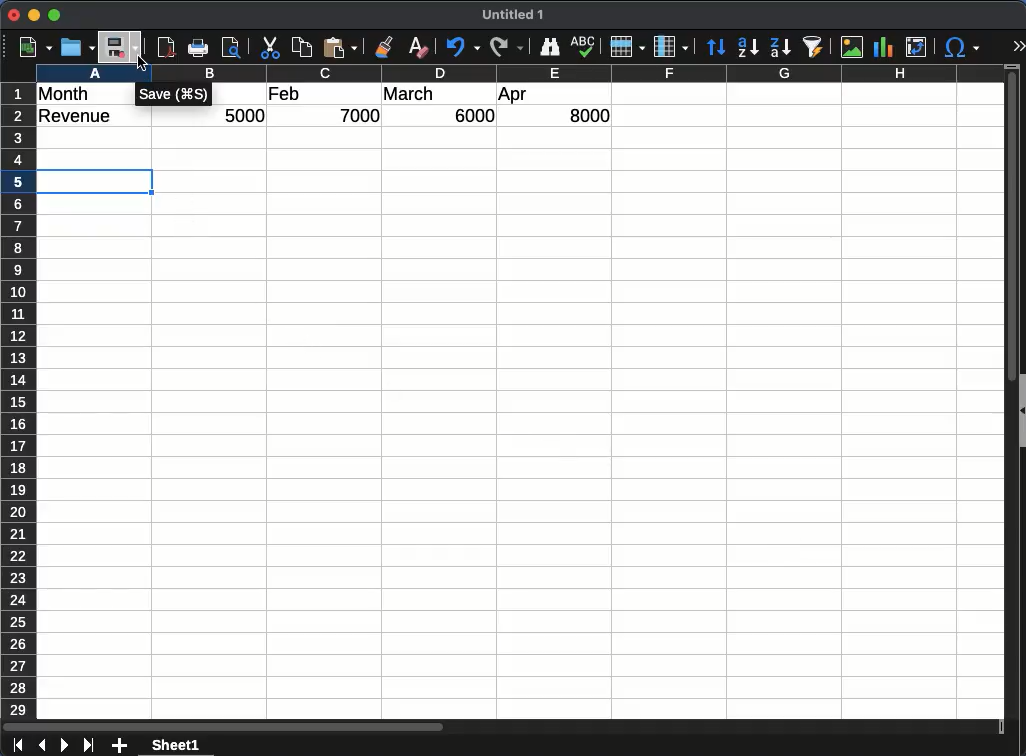 Image resolution: width=1026 pixels, height=756 pixels. Describe the element at coordinates (35, 15) in the screenshot. I see `minimize` at that location.